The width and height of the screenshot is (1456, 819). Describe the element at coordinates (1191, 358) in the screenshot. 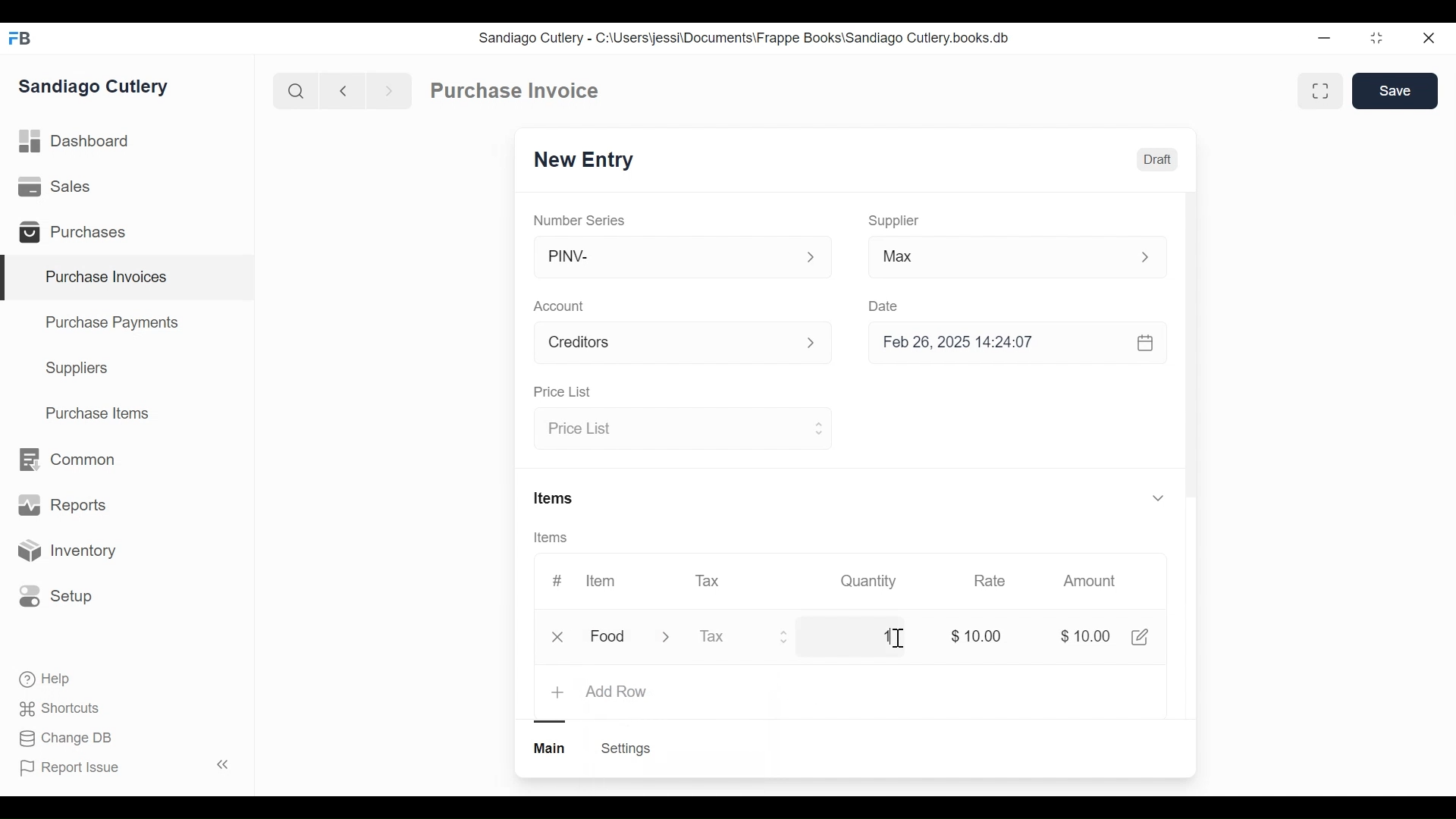

I see `Vertical Scroll bar` at that location.